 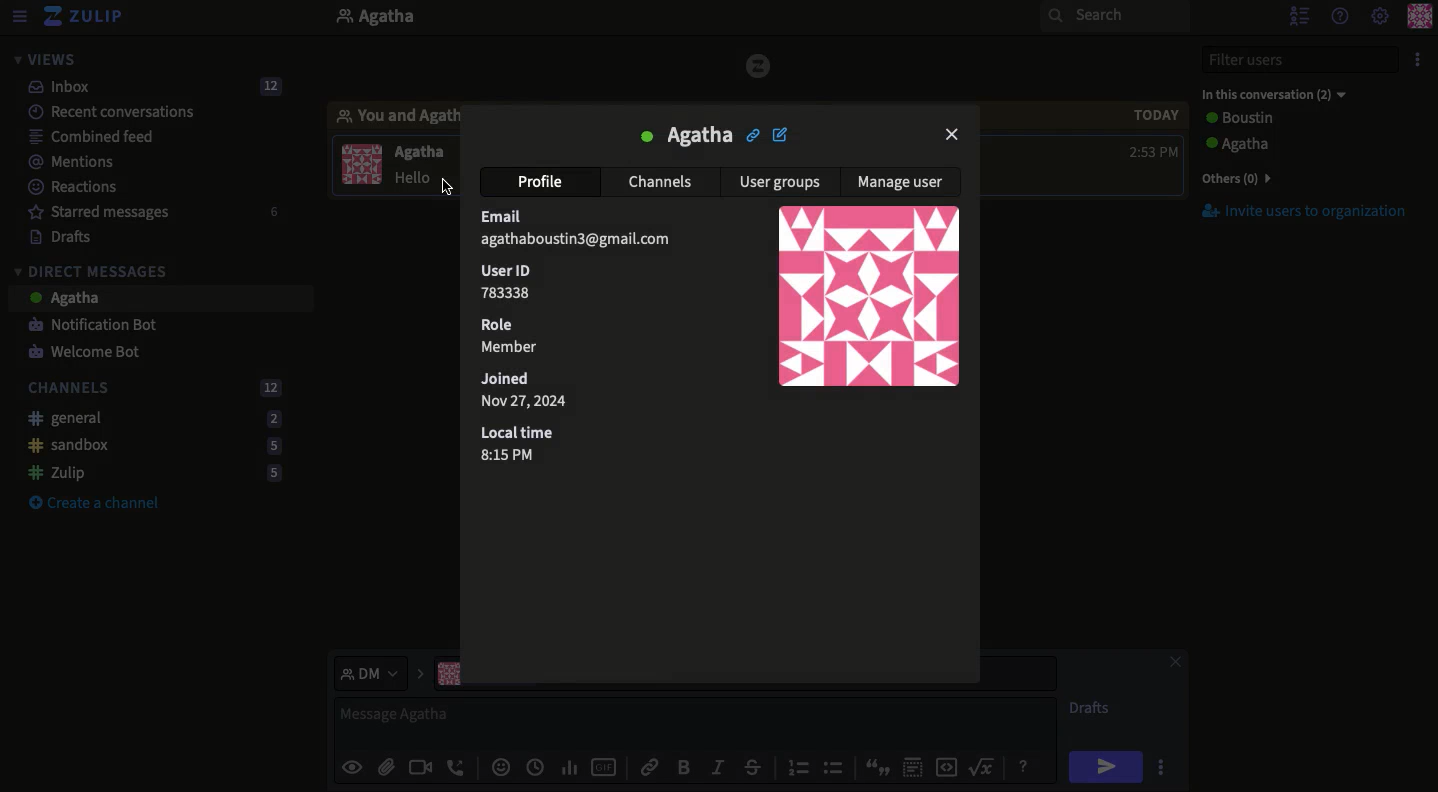 I want to click on Embed code, so click(x=954, y=767).